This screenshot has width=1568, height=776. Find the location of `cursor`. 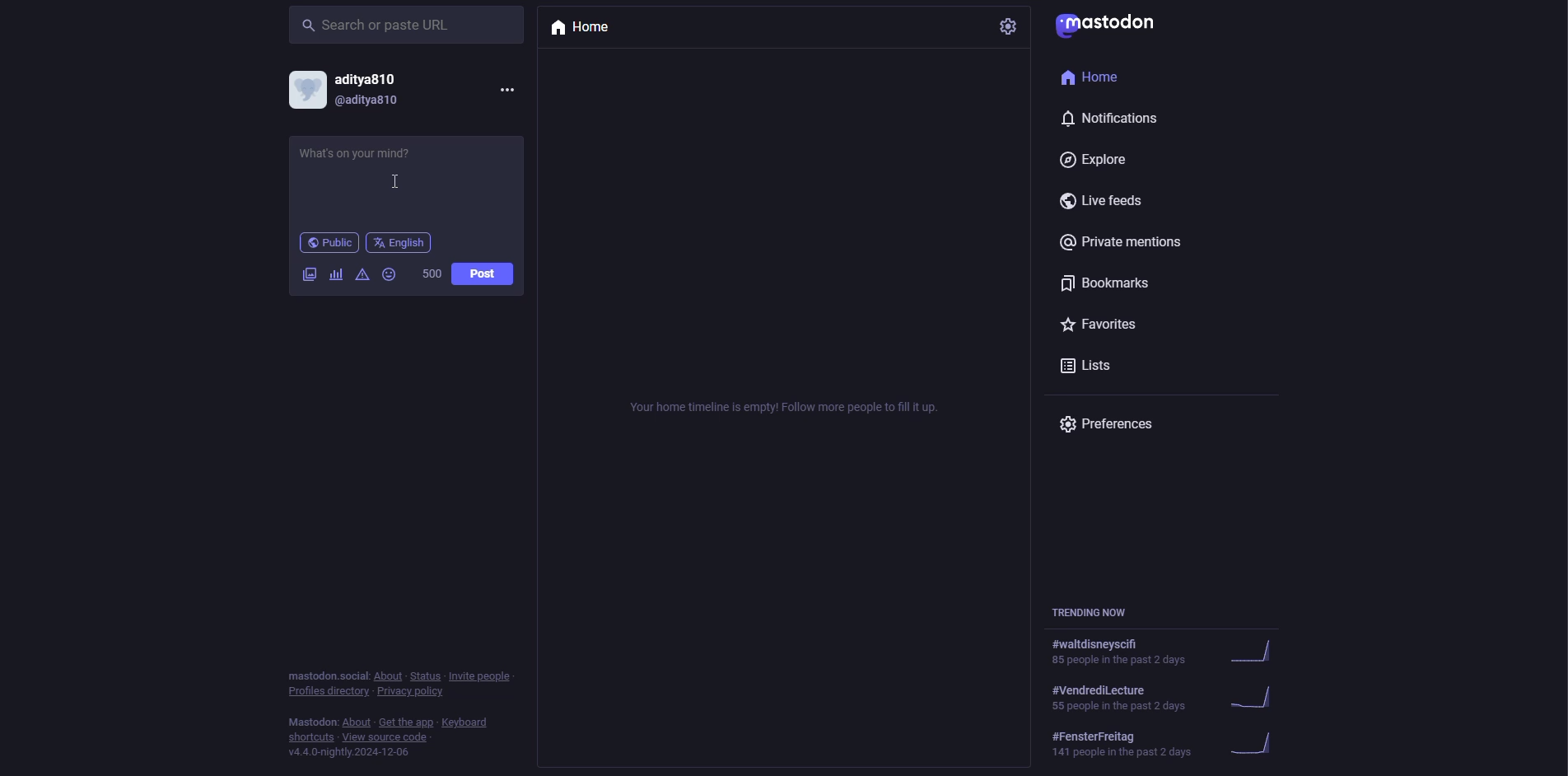

cursor is located at coordinates (393, 182).